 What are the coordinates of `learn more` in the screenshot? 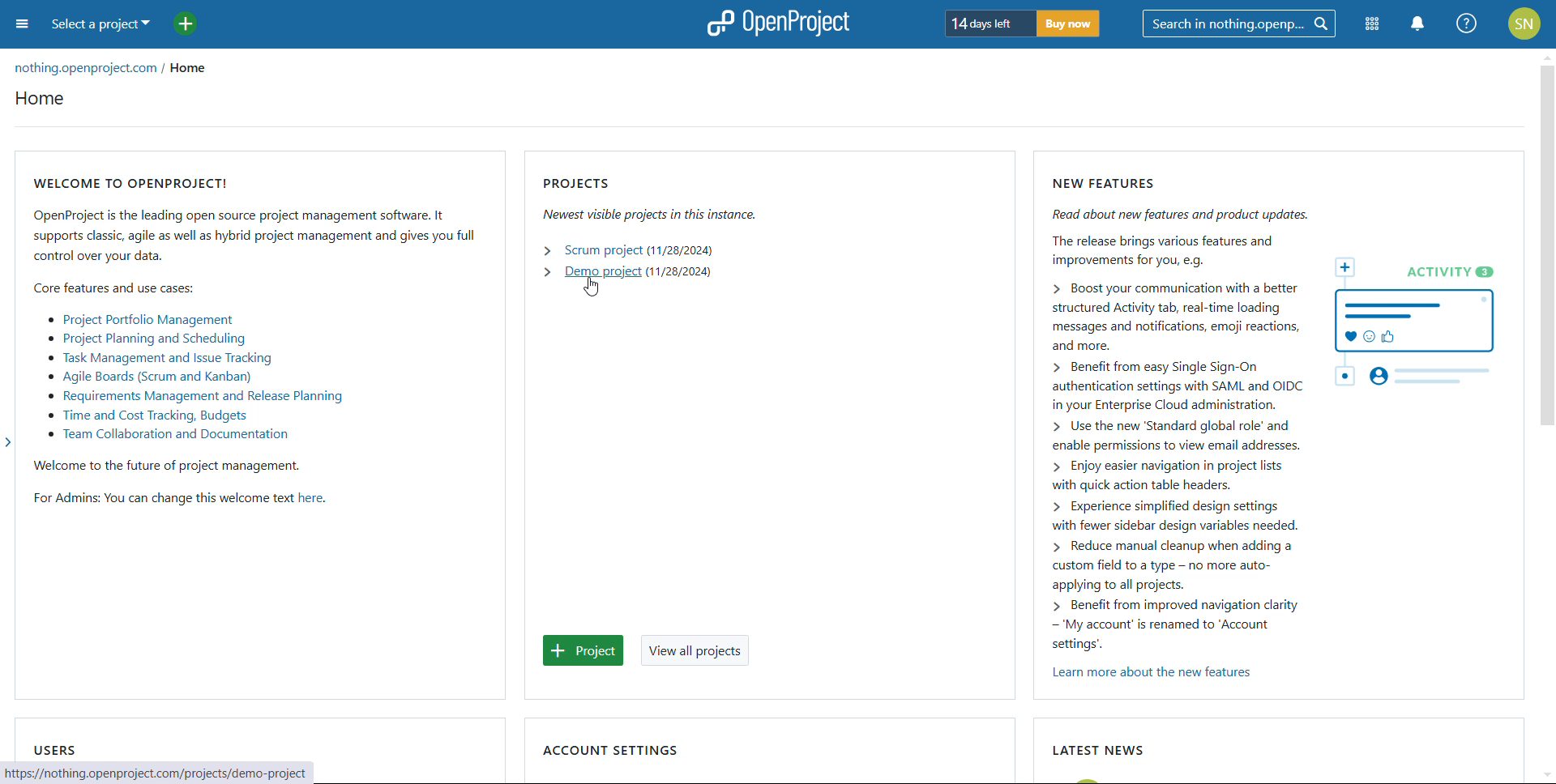 It's located at (1155, 672).